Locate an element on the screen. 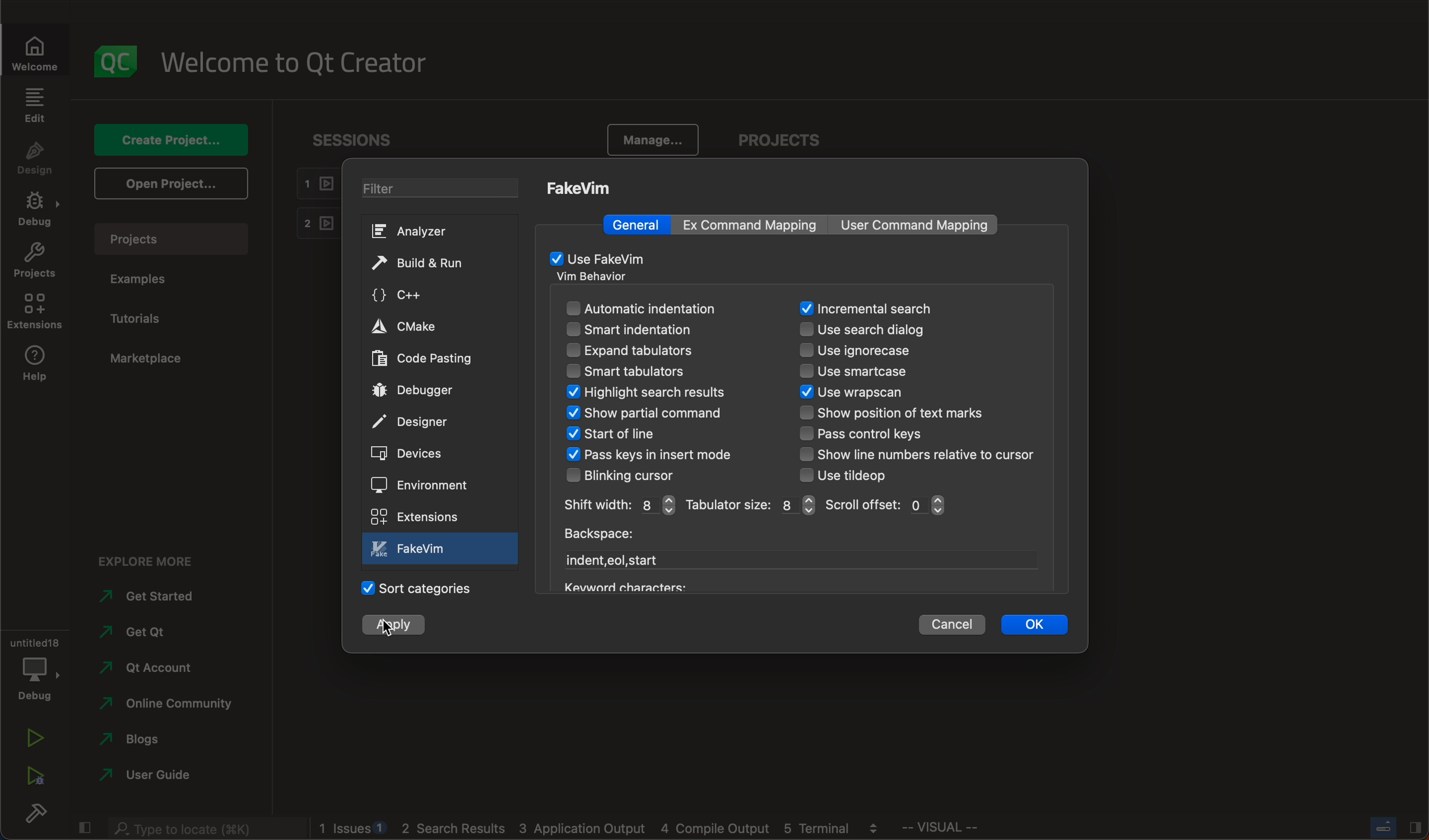 This screenshot has width=1429, height=840.  is located at coordinates (456, 826).